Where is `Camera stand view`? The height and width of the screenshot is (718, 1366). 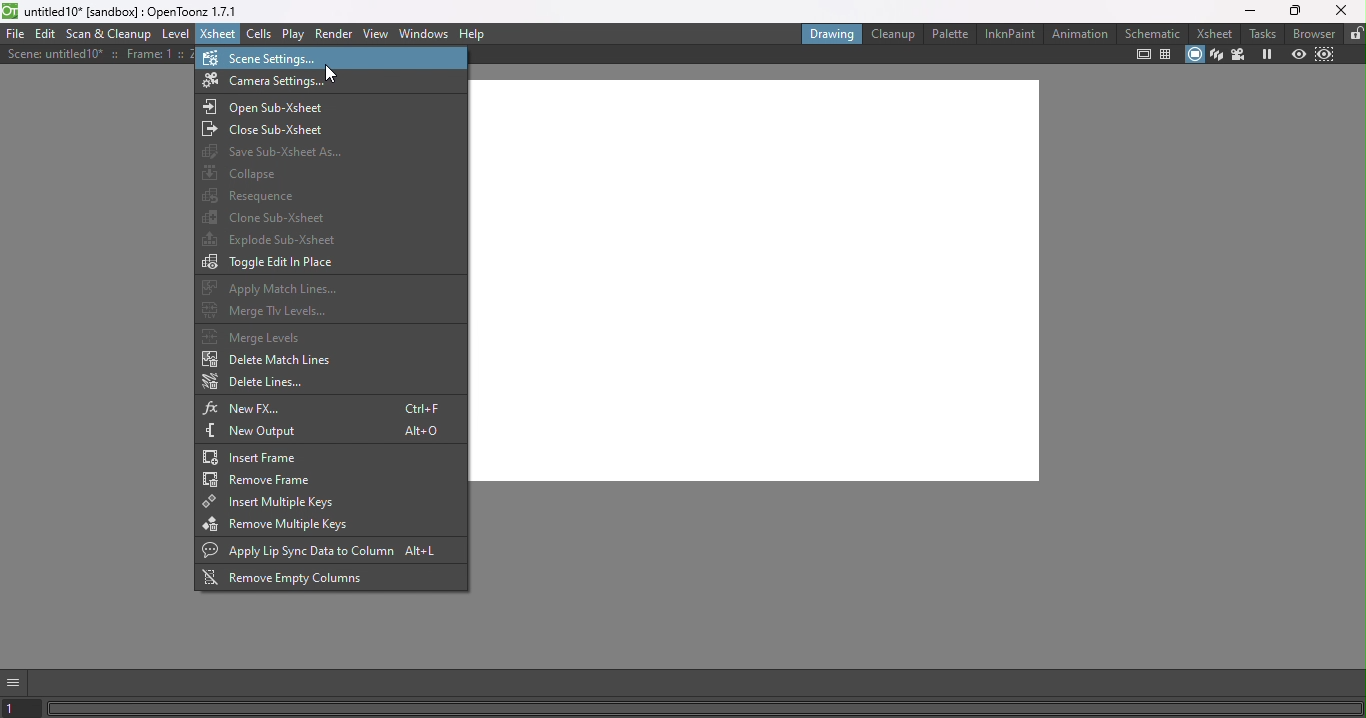 Camera stand view is located at coordinates (1193, 53).